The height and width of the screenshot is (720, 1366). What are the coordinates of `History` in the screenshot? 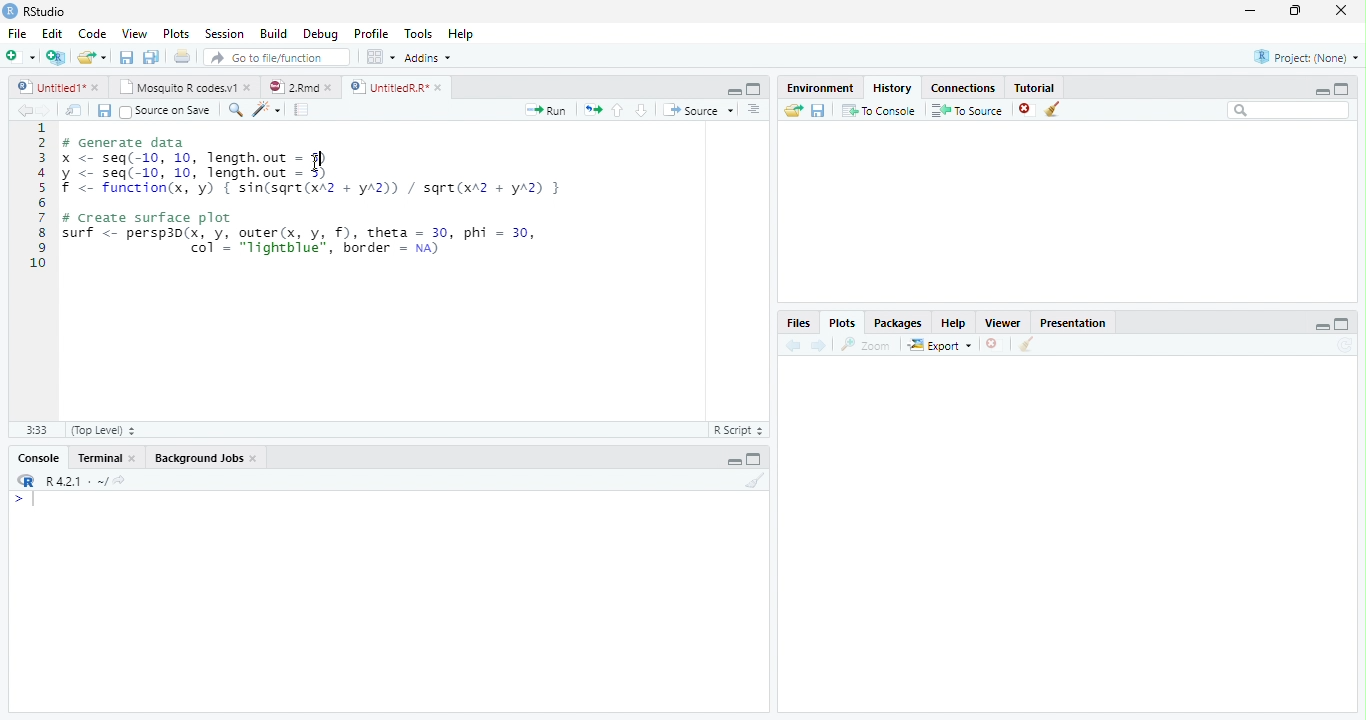 It's located at (893, 87).